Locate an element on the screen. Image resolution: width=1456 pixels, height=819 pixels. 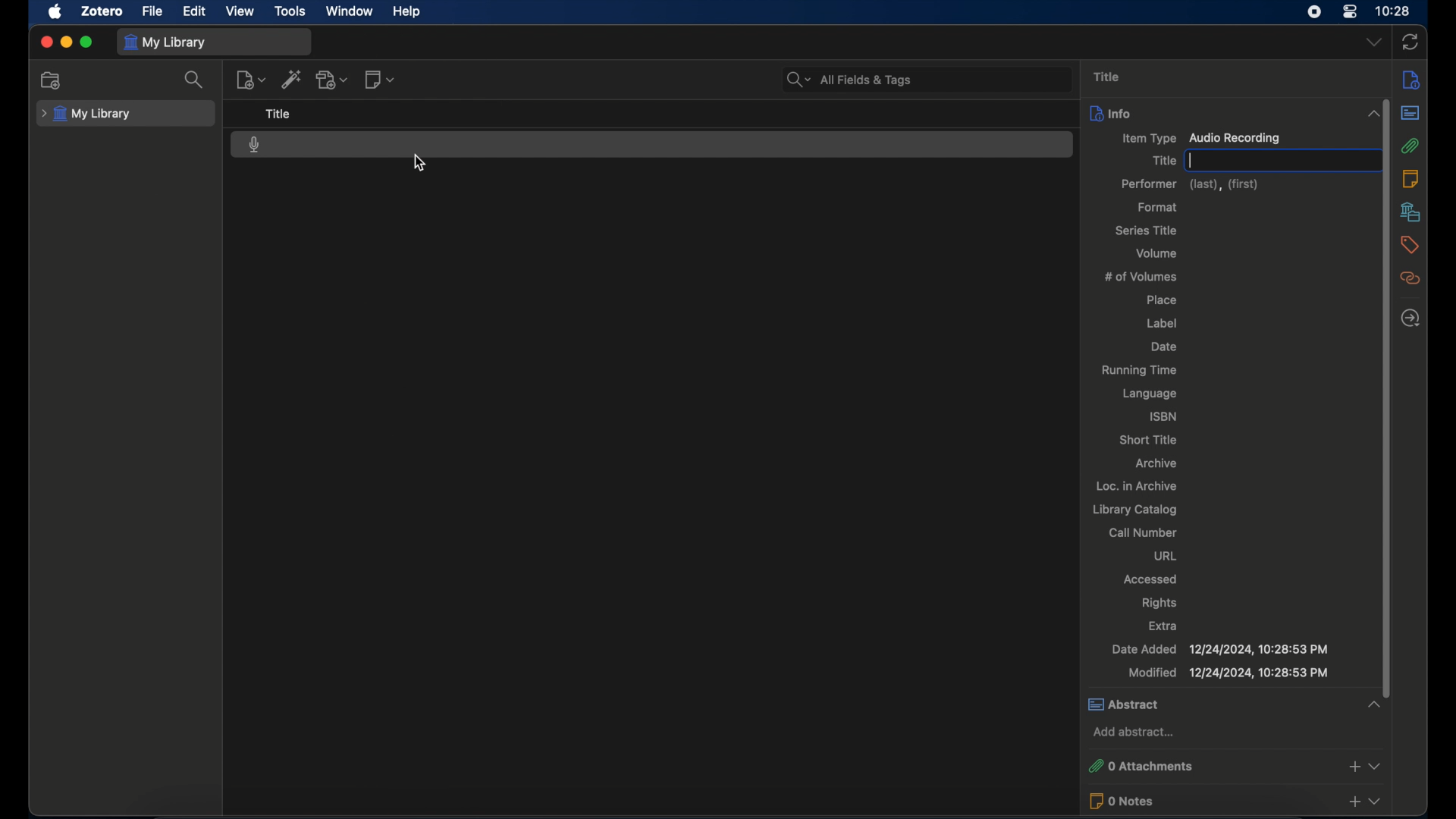
new collection is located at coordinates (54, 80).